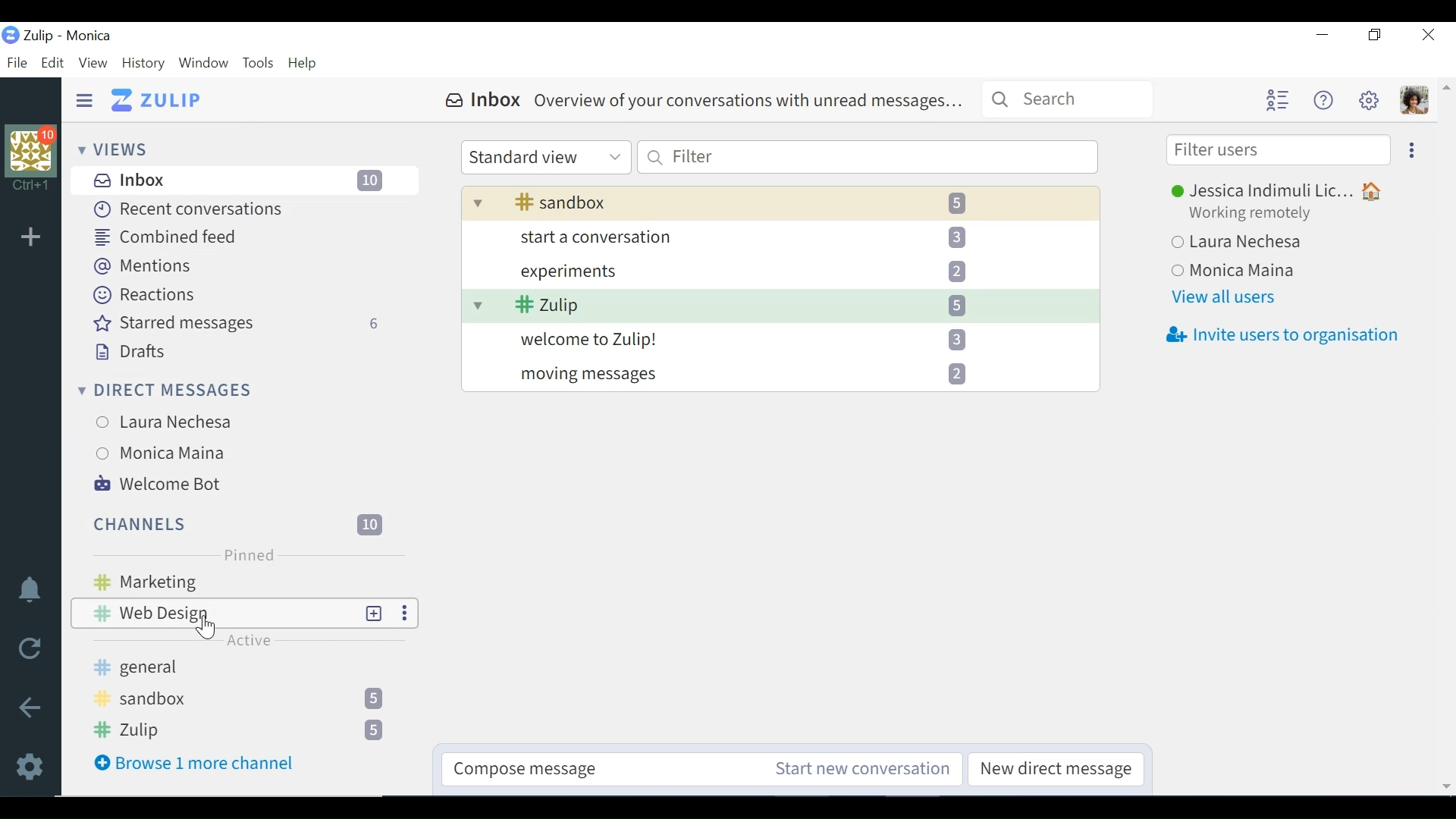 Image resolution: width=1456 pixels, height=819 pixels. What do you see at coordinates (768, 339) in the screenshot?
I see `welcome to Zulip! thread` at bounding box center [768, 339].